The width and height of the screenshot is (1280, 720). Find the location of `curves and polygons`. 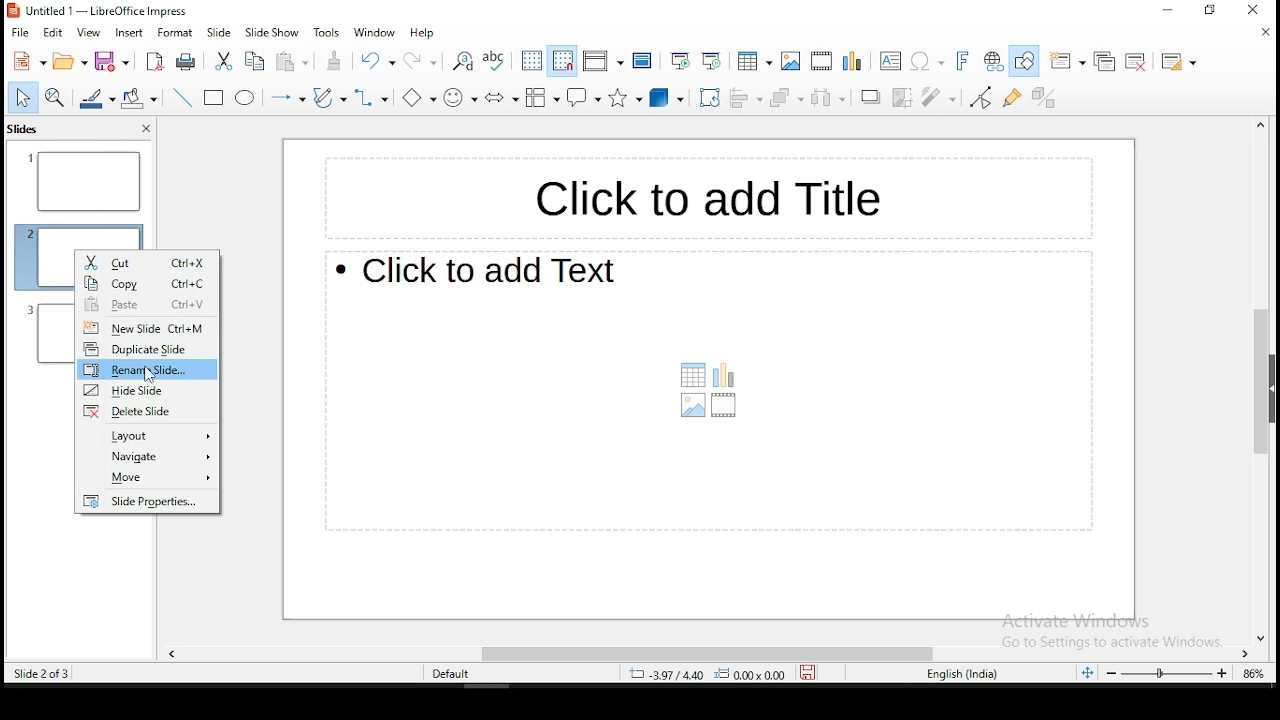

curves and polygons is located at coordinates (330, 99).